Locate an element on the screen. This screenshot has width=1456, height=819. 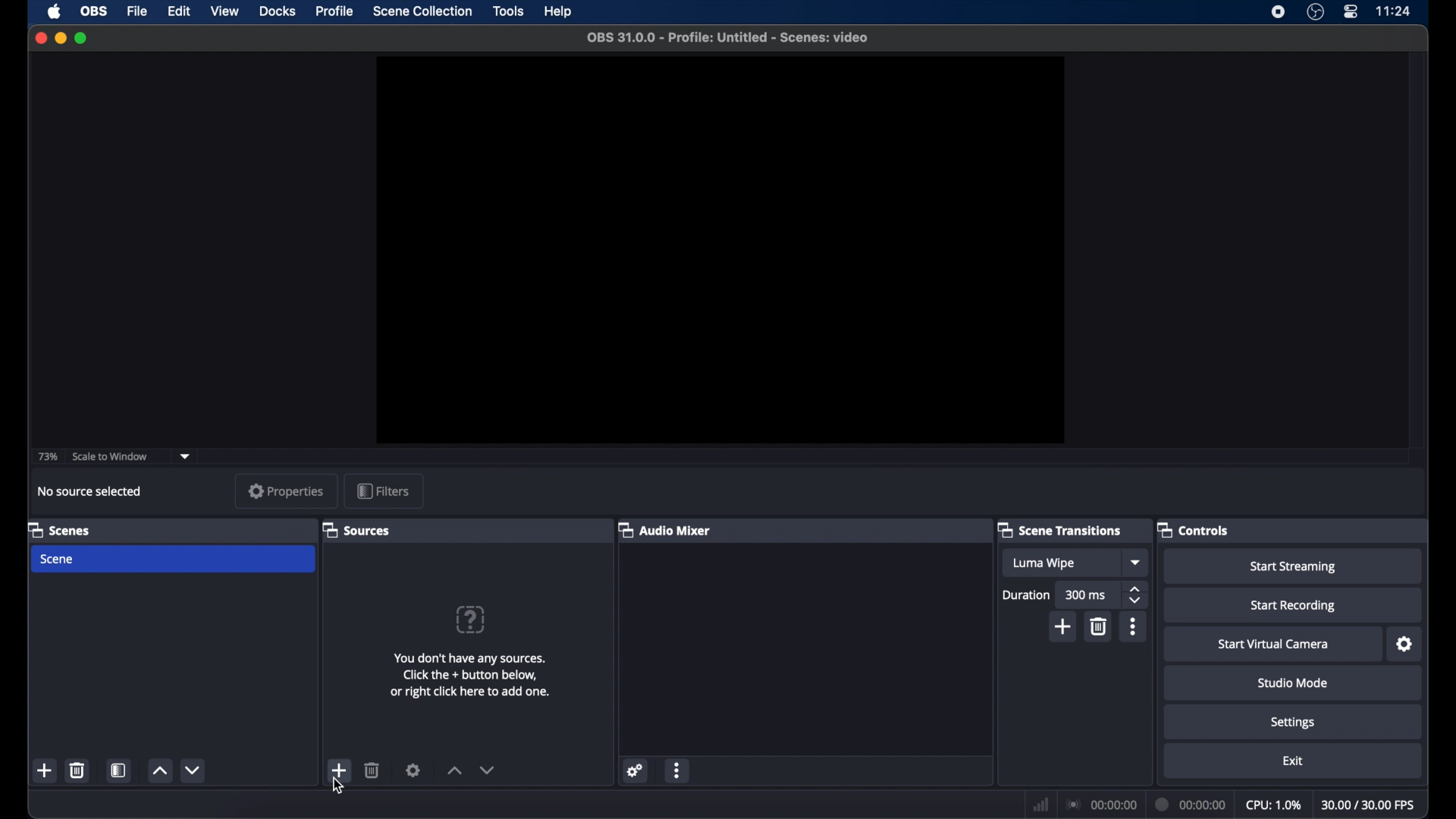
screen recorder icon is located at coordinates (1277, 11).